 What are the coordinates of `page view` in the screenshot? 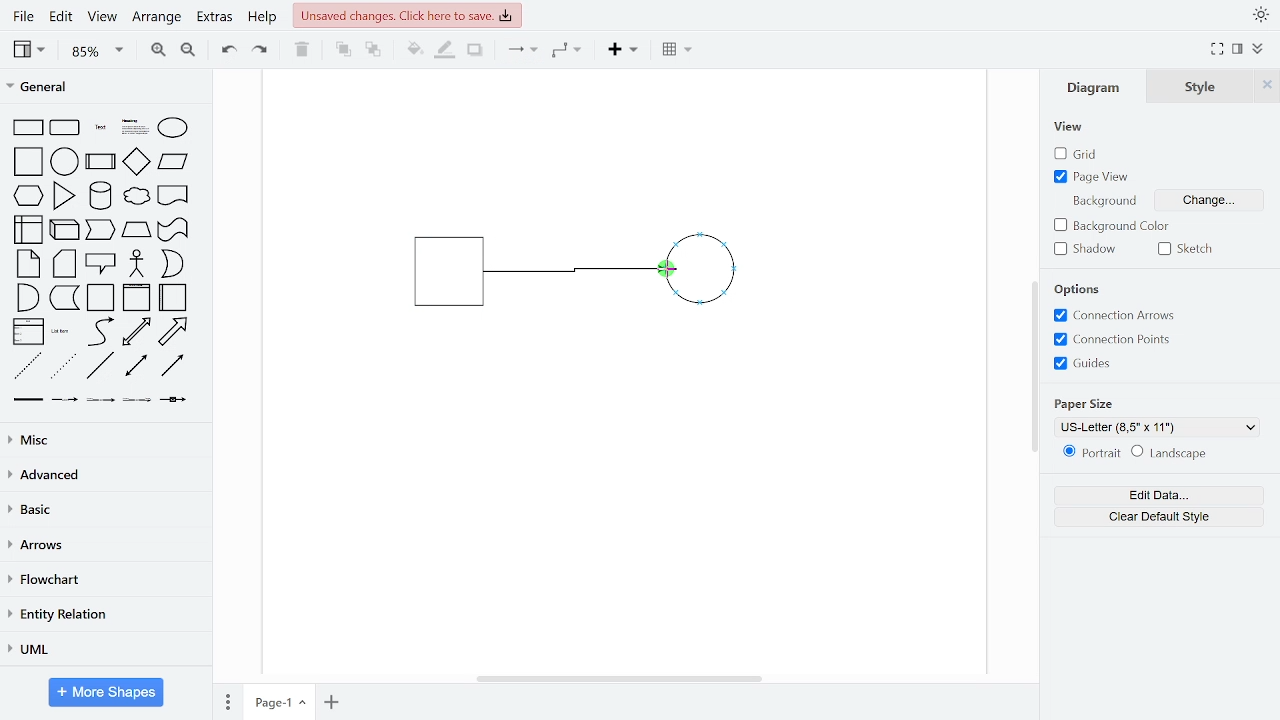 It's located at (1094, 176).